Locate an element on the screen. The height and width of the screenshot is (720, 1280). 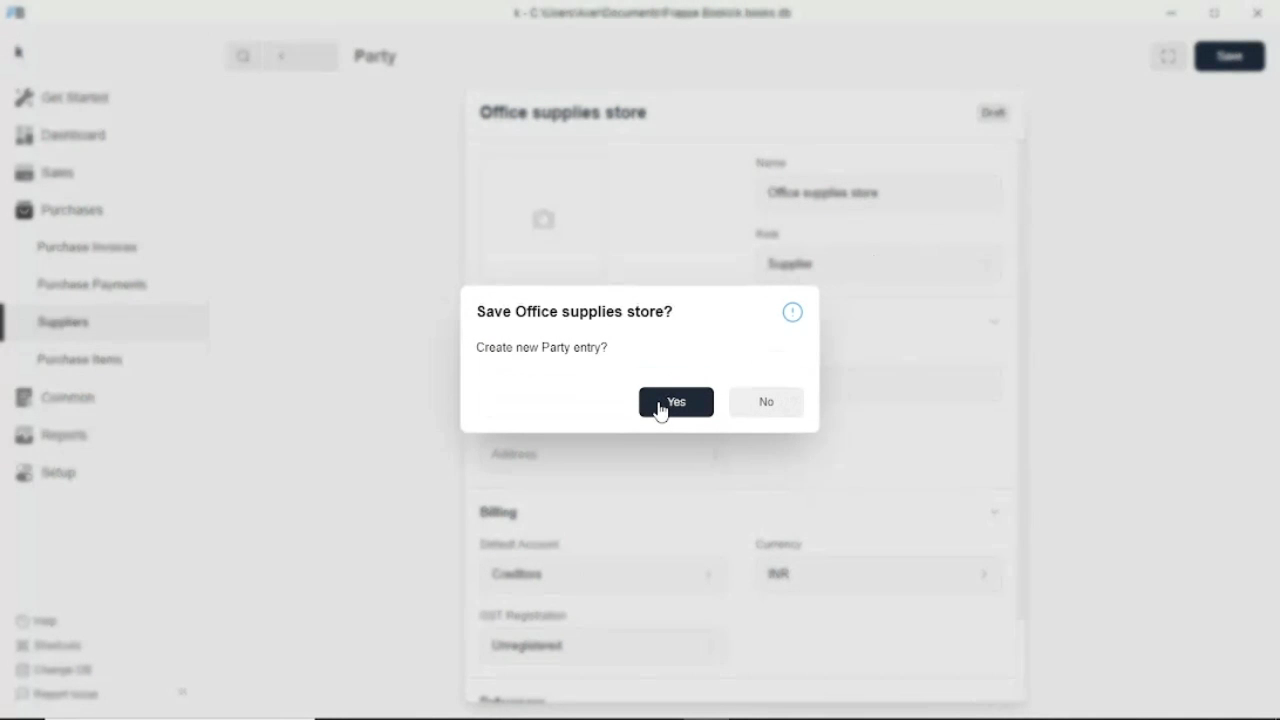
Report issue is located at coordinates (56, 696).